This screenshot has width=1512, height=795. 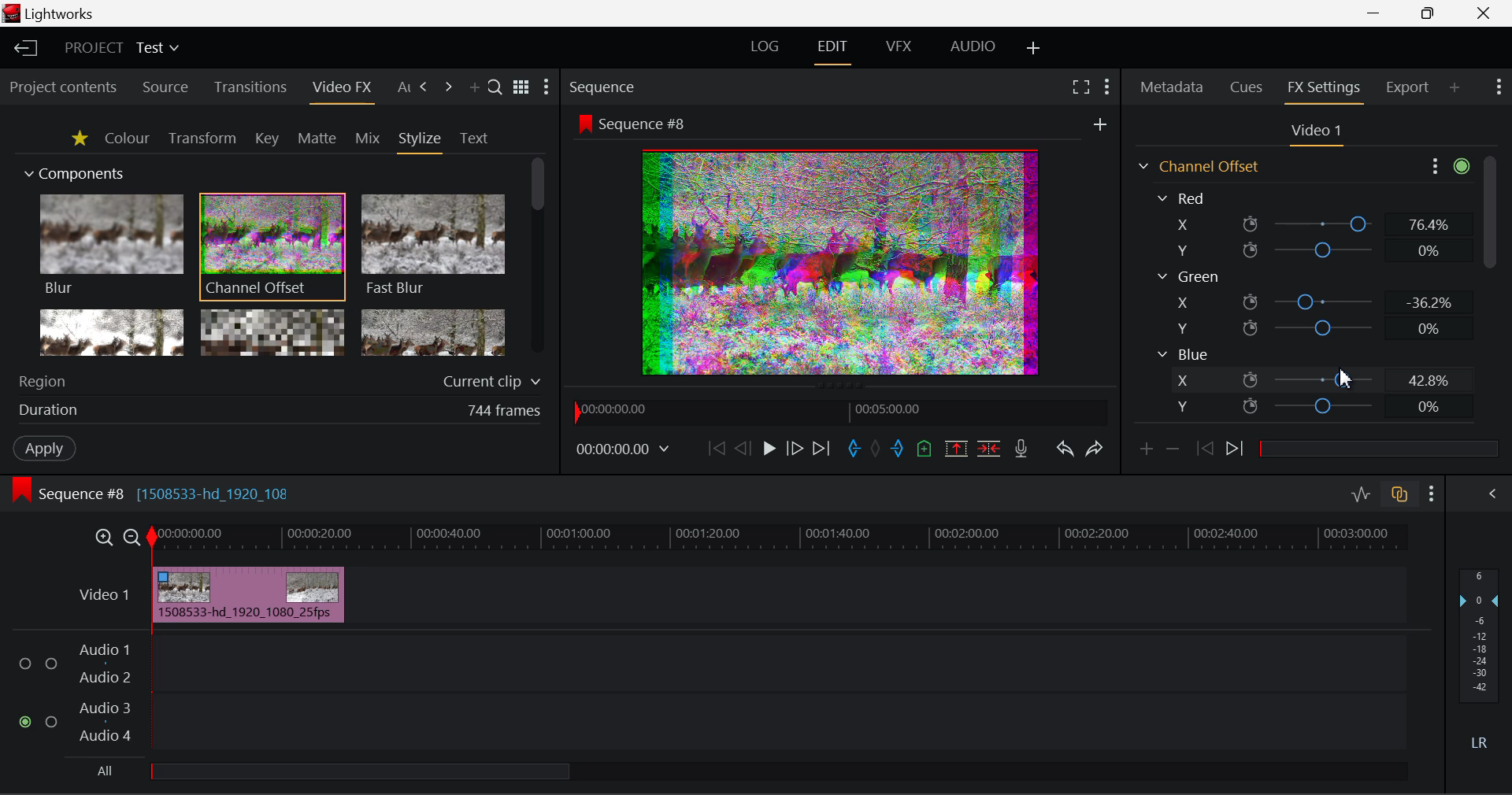 I want to click on Audio Input Field, so click(x=708, y=694).